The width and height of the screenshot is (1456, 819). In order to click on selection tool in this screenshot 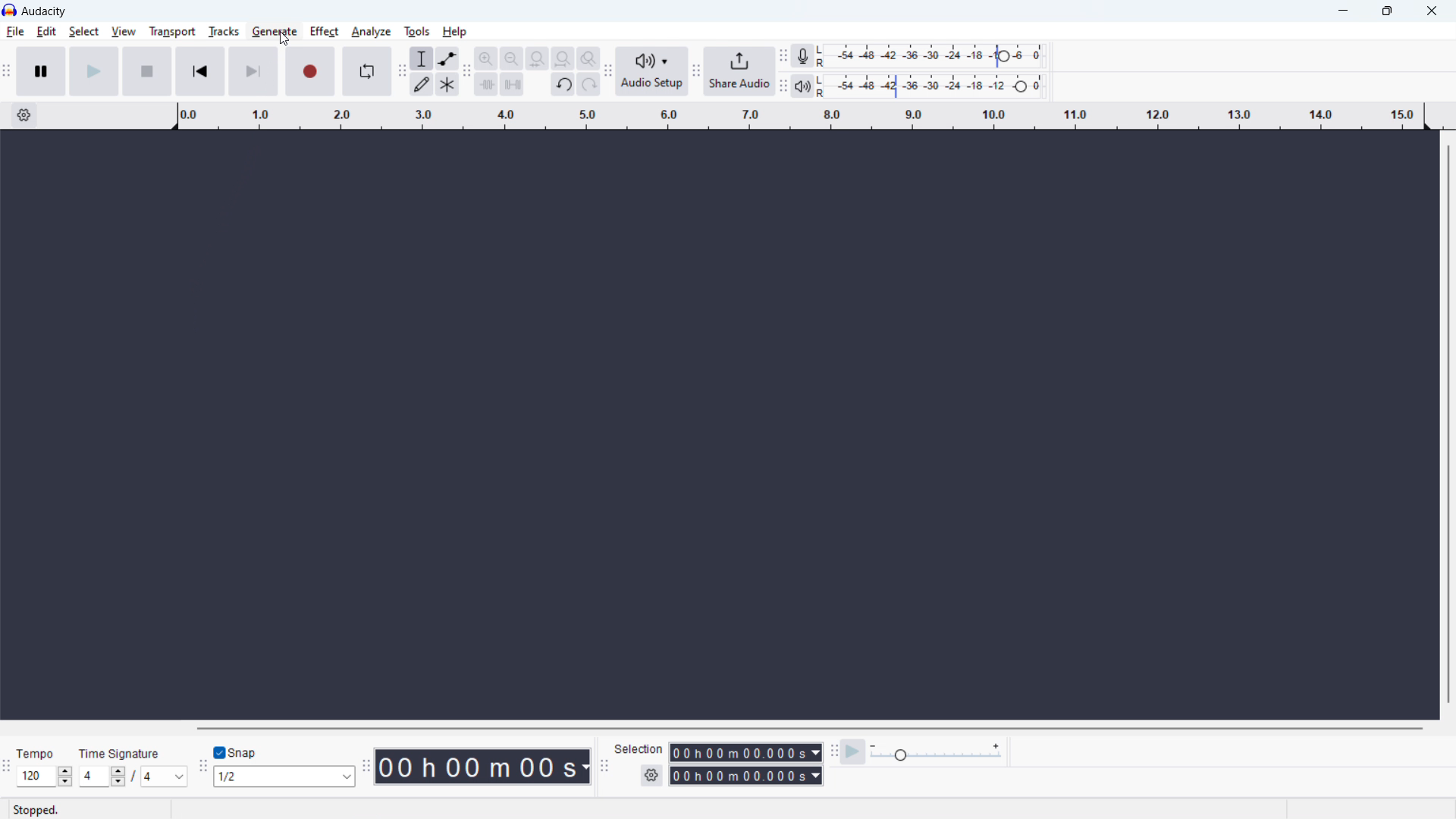, I will do `click(422, 58)`.